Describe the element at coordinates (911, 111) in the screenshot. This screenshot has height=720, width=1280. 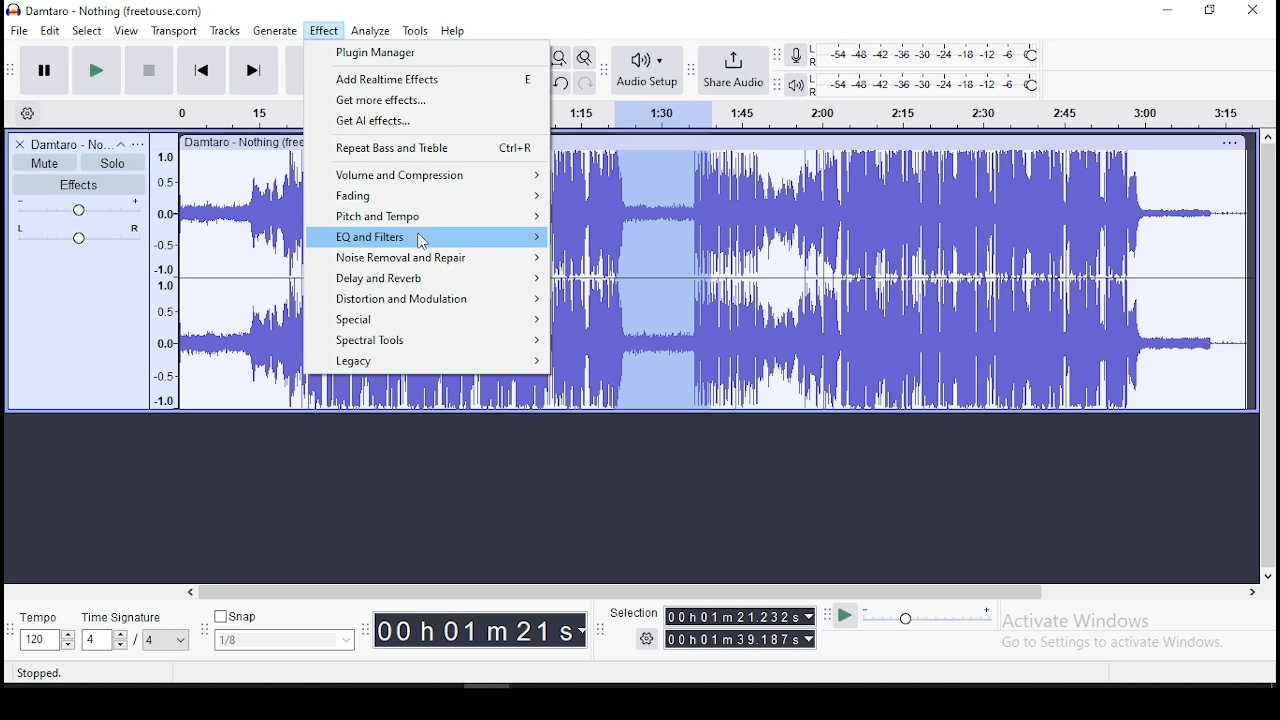
I see `Audio bar` at that location.